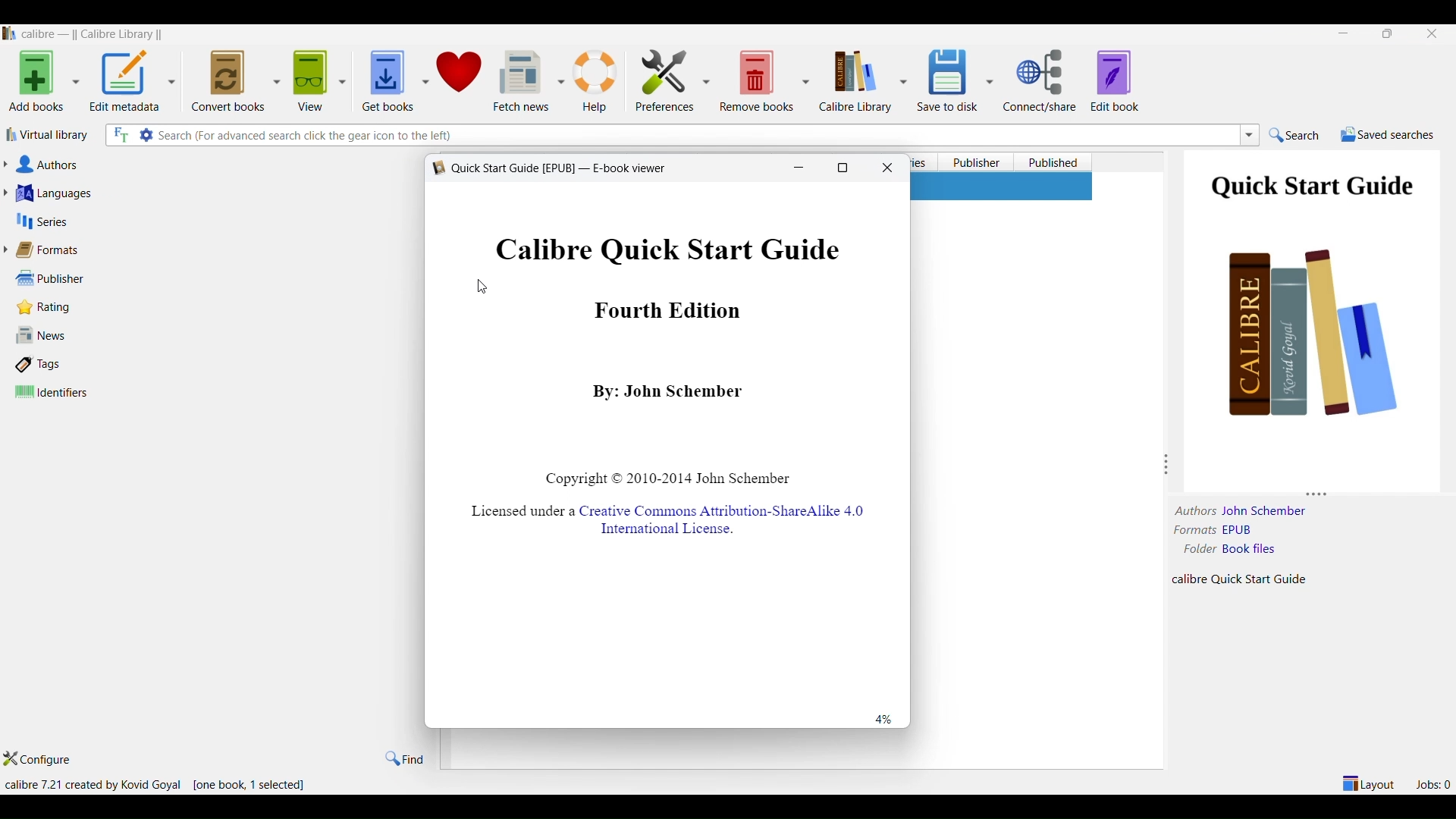  What do you see at coordinates (1320, 490) in the screenshot?
I see `resize` at bounding box center [1320, 490].